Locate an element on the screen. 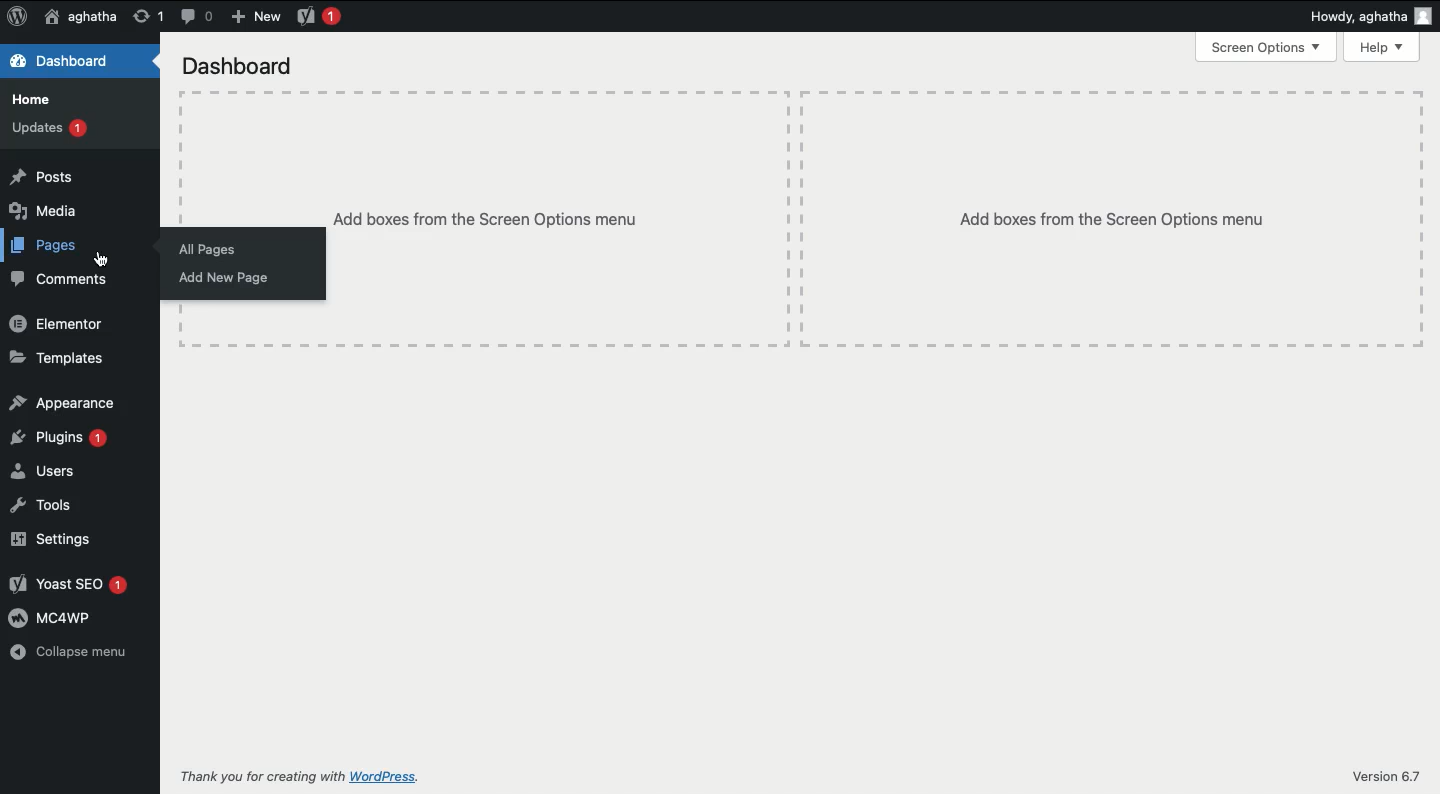 Image resolution: width=1440 pixels, height=794 pixels. Appearance is located at coordinates (64, 402).